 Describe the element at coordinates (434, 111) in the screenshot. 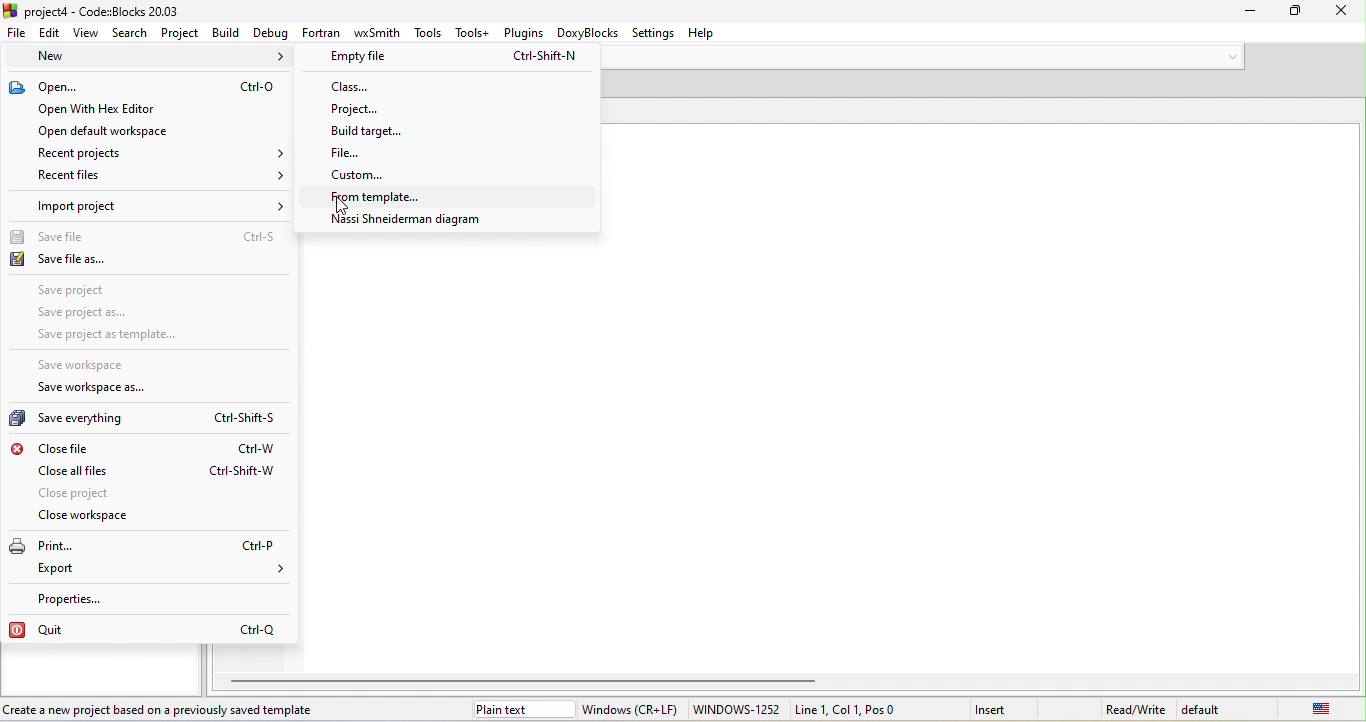

I see `project` at that location.